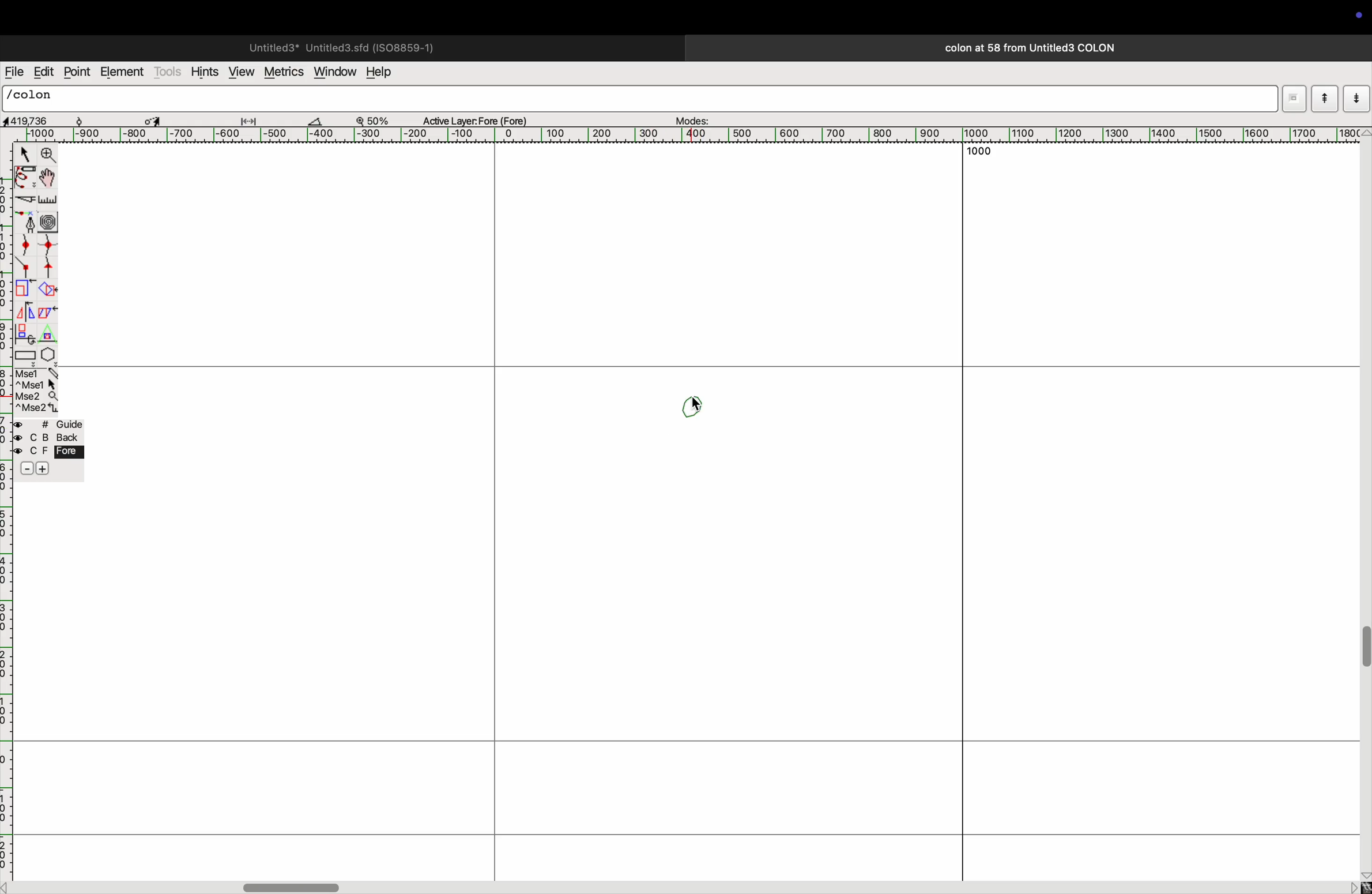  Describe the element at coordinates (1324, 99) in the screenshot. I see `mode up` at that location.